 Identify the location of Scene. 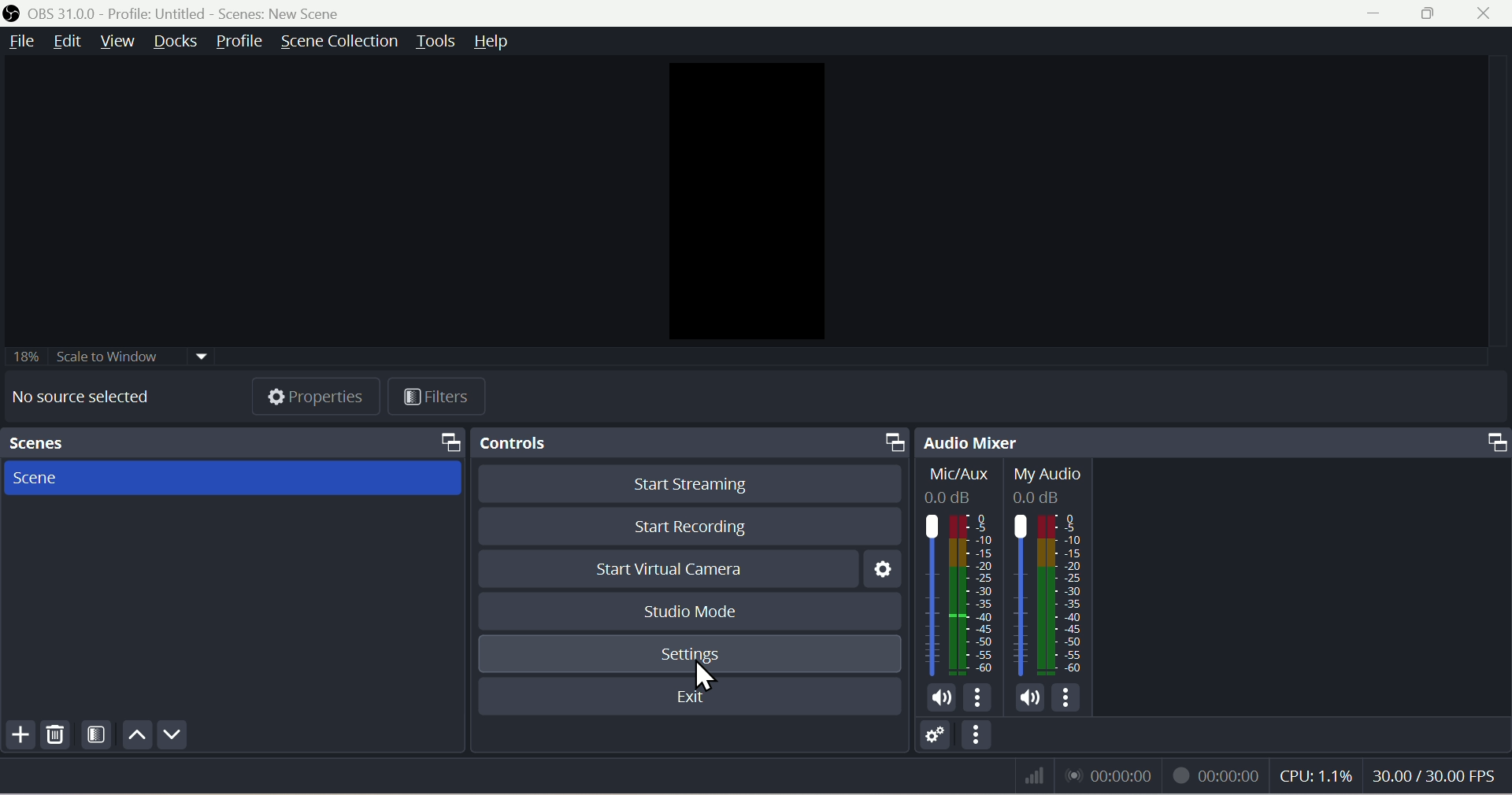
(227, 479).